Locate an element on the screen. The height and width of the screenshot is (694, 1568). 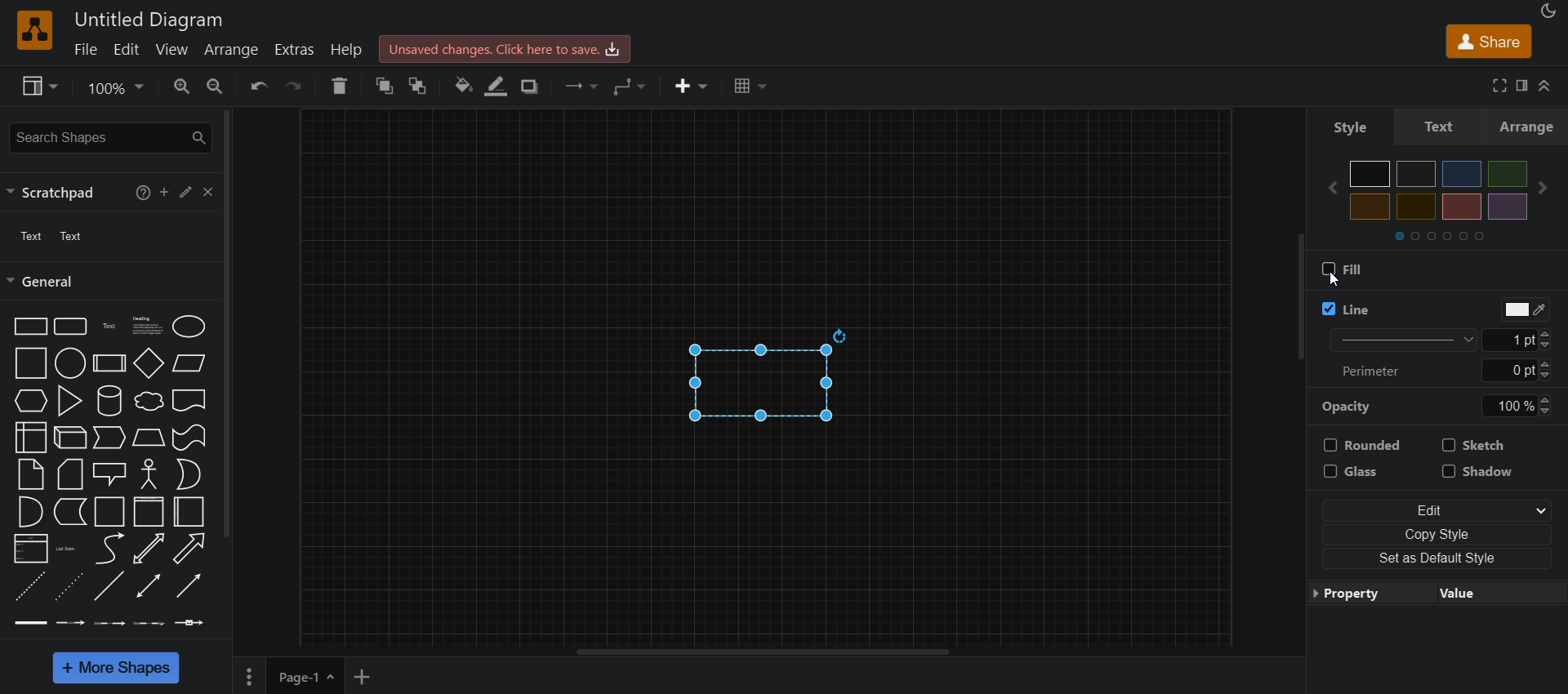
document is located at coordinates (190, 401).